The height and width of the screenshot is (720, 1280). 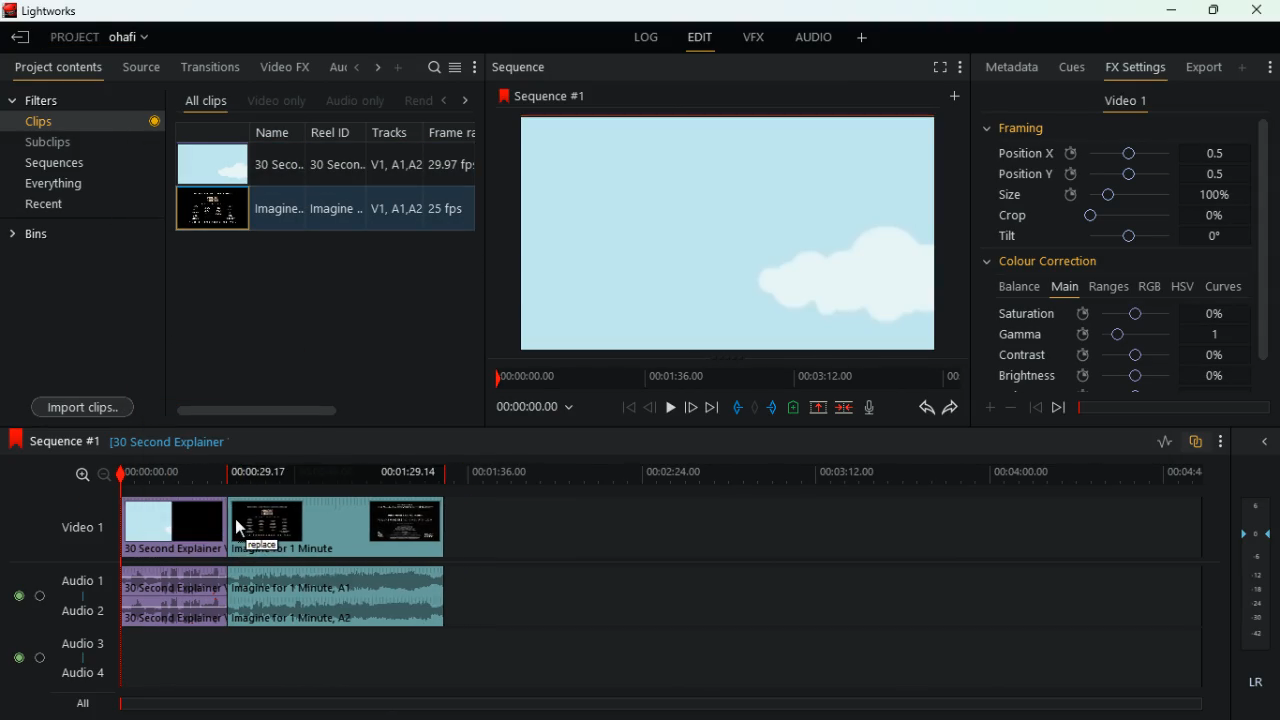 I want to click on back, so click(x=922, y=409).